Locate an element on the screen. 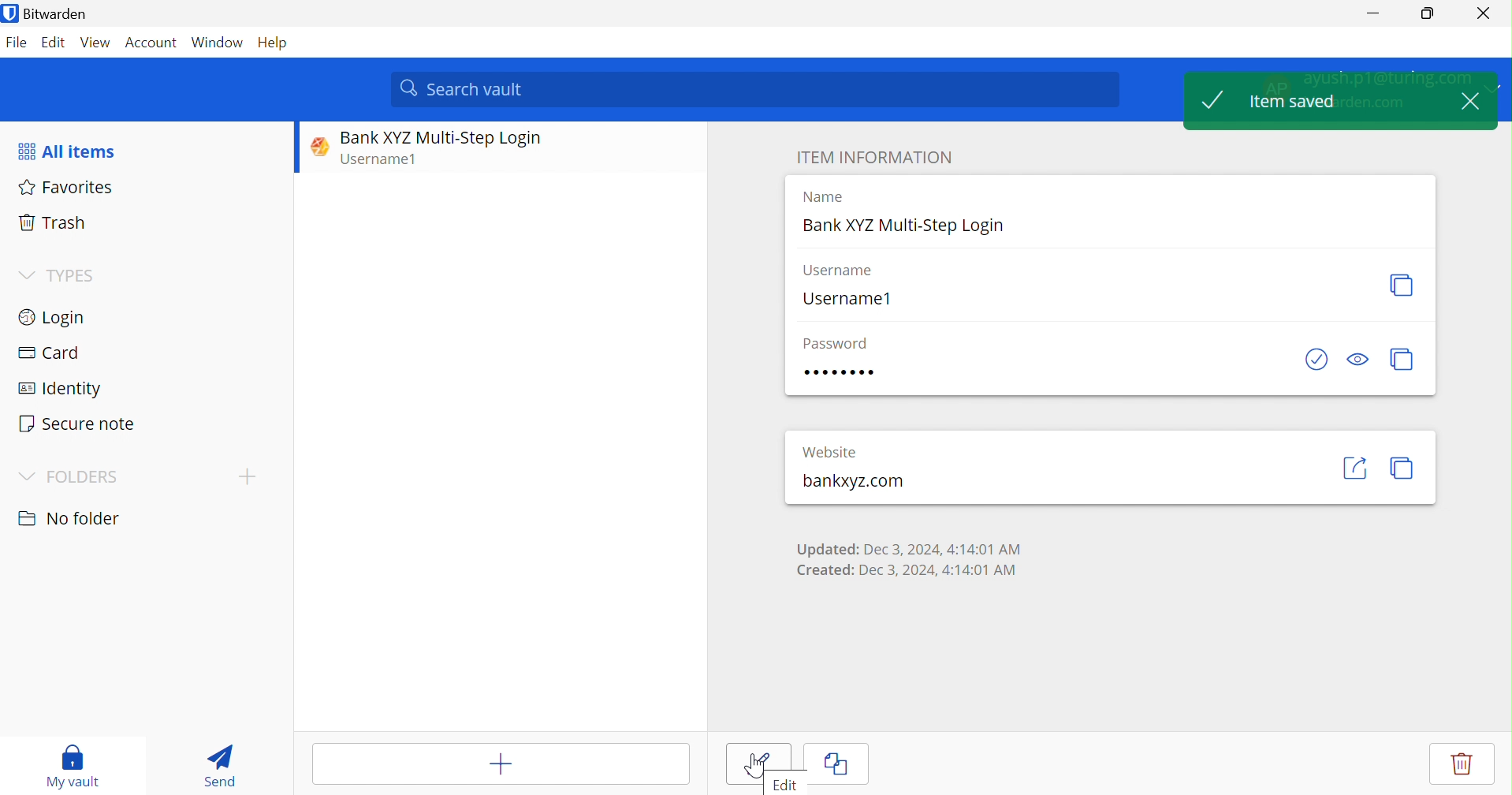 The image size is (1512, 795). Cursor is located at coordinates (753, 760).